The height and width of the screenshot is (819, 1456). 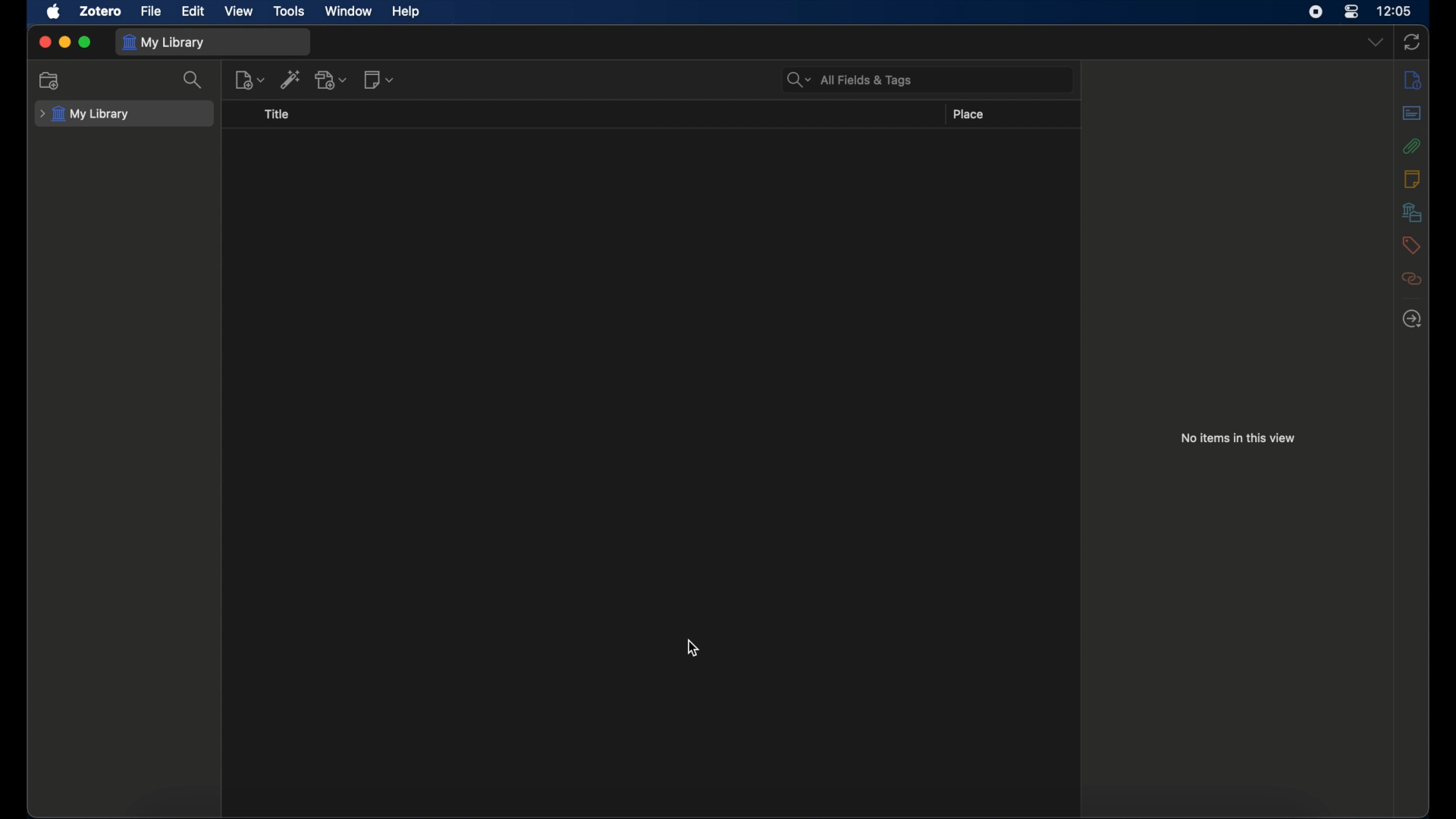 I want to click on new collection, so click(x=49, y=80).